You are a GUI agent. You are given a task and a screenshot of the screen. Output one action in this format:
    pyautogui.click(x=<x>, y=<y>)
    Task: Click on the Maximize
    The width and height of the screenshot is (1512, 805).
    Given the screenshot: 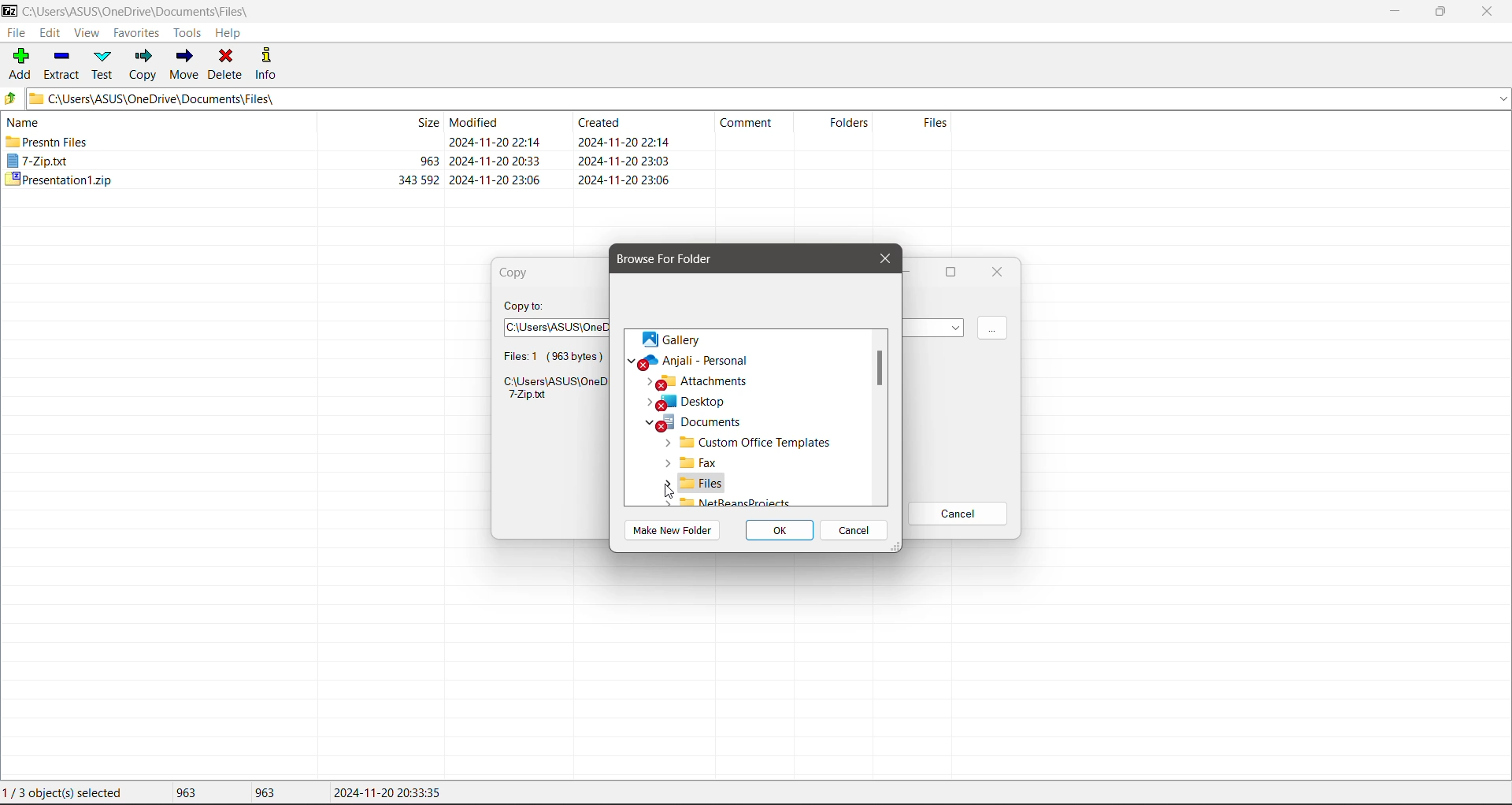 What is the action you would take?
    pyautogui.click(x=955, y=272)
    